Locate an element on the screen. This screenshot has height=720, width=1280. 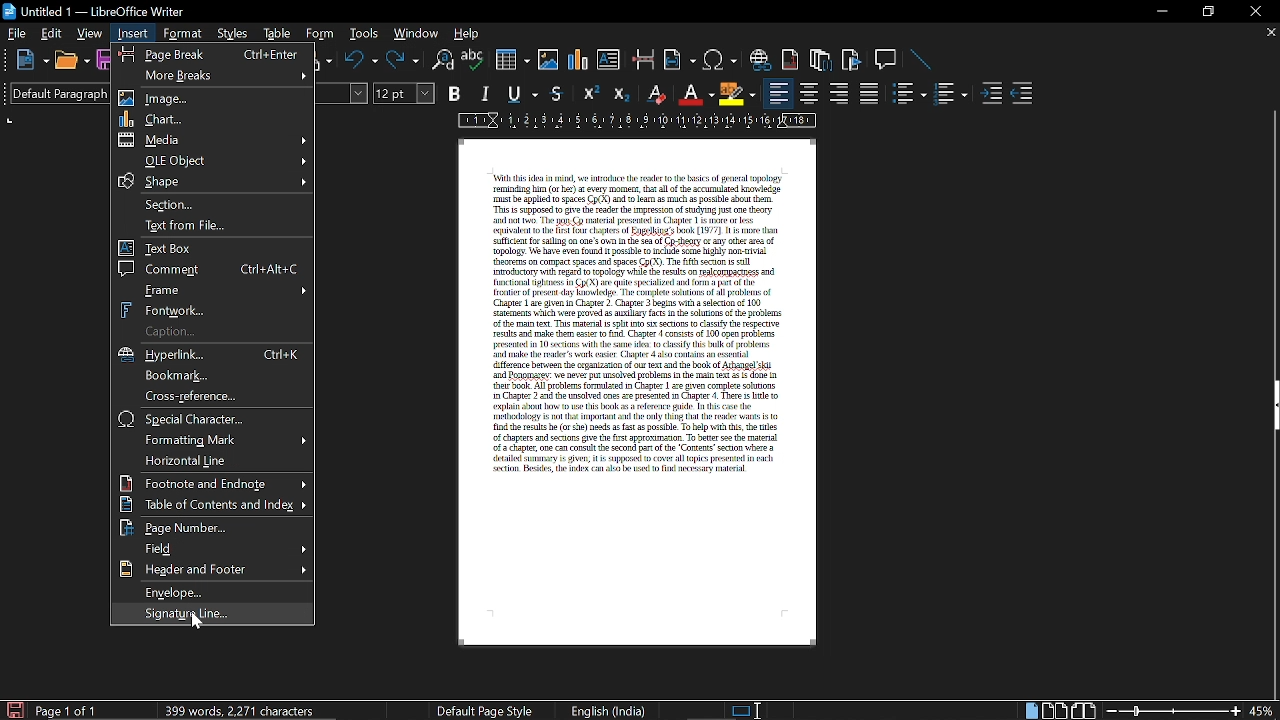
highlight is located at coordinates (737, 94).